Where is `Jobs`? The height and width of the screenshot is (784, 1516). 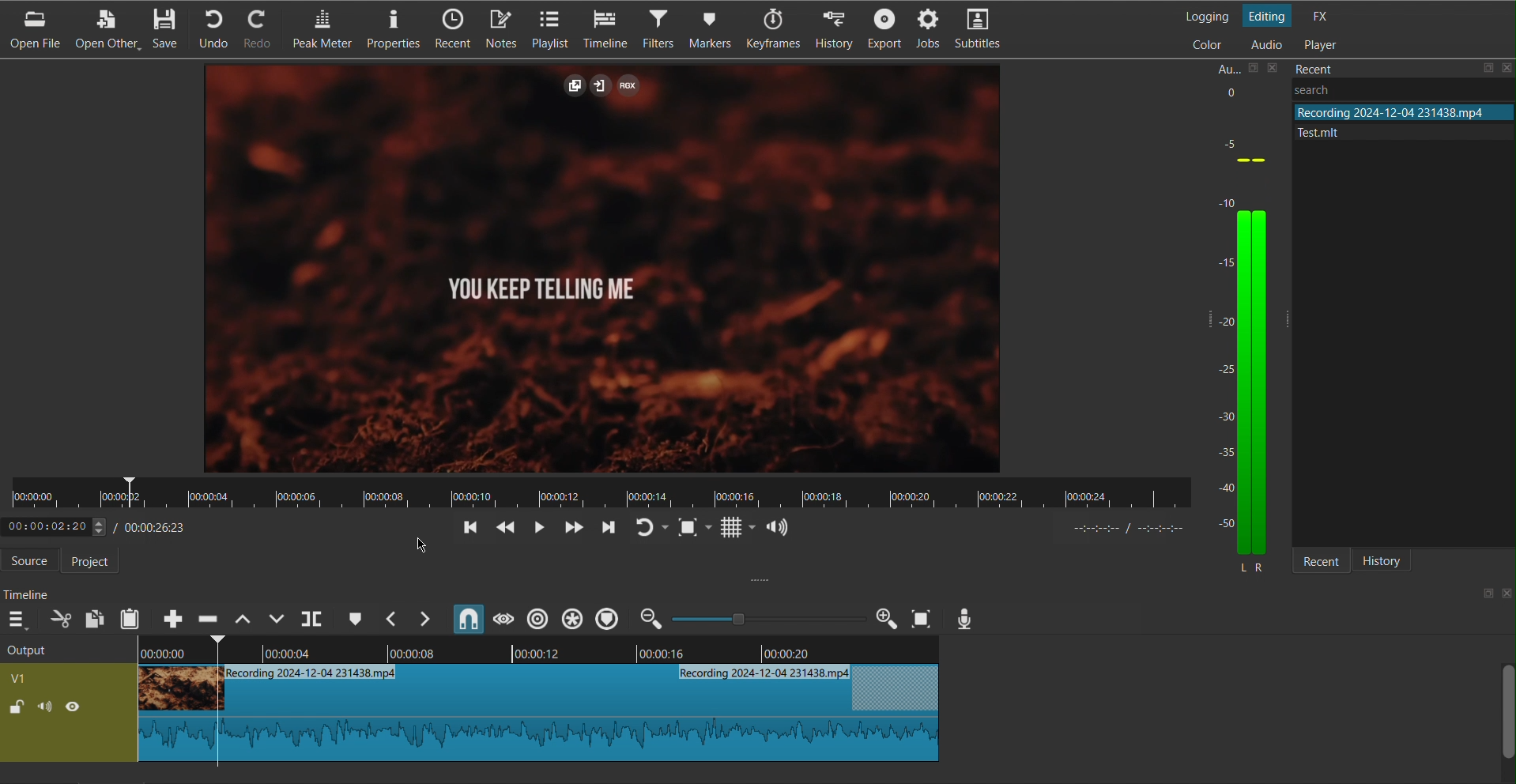
Jobs is located at coordinates (933, 32).